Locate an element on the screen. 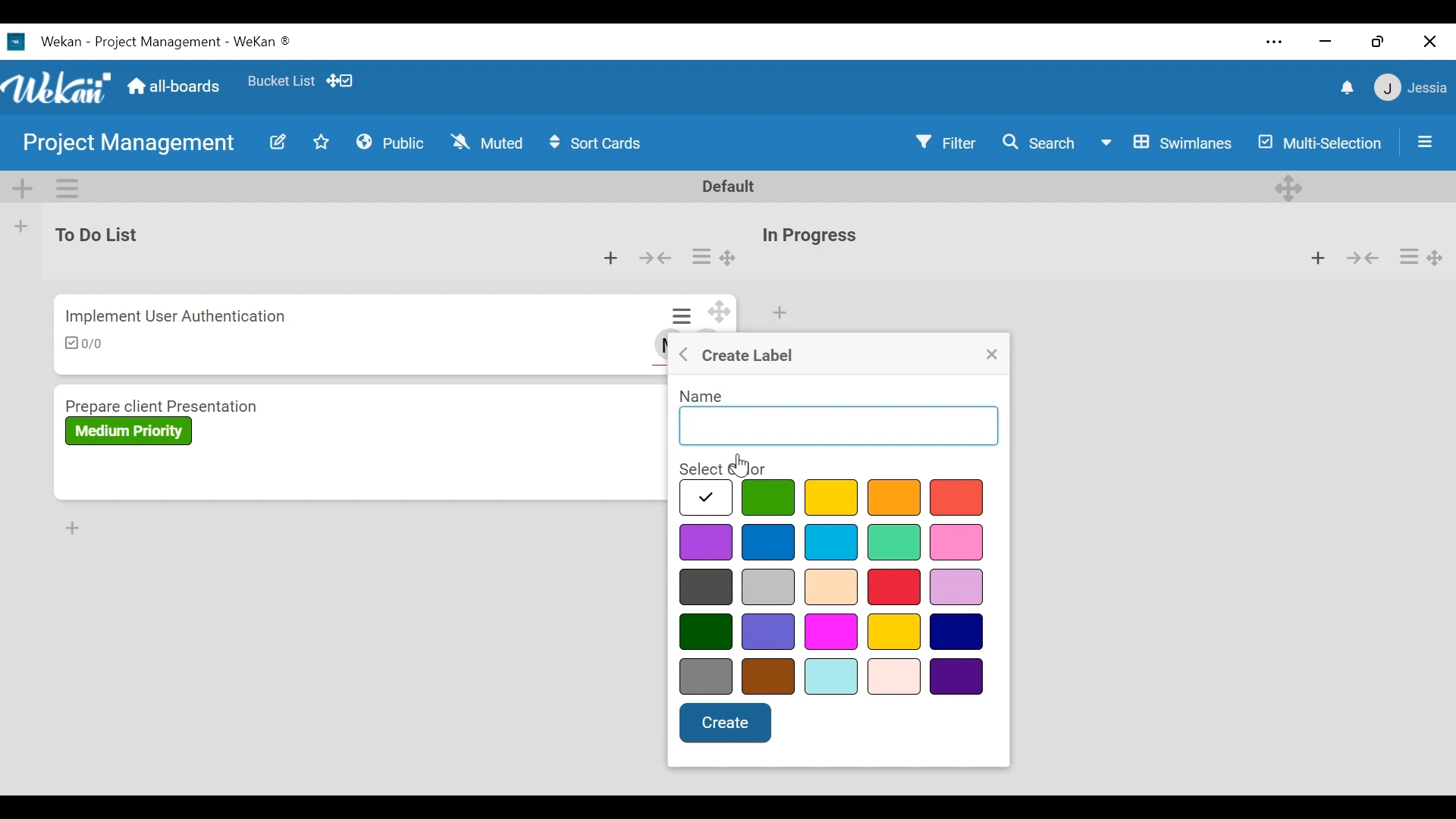  Card Title is located at coordinates (168, 403).